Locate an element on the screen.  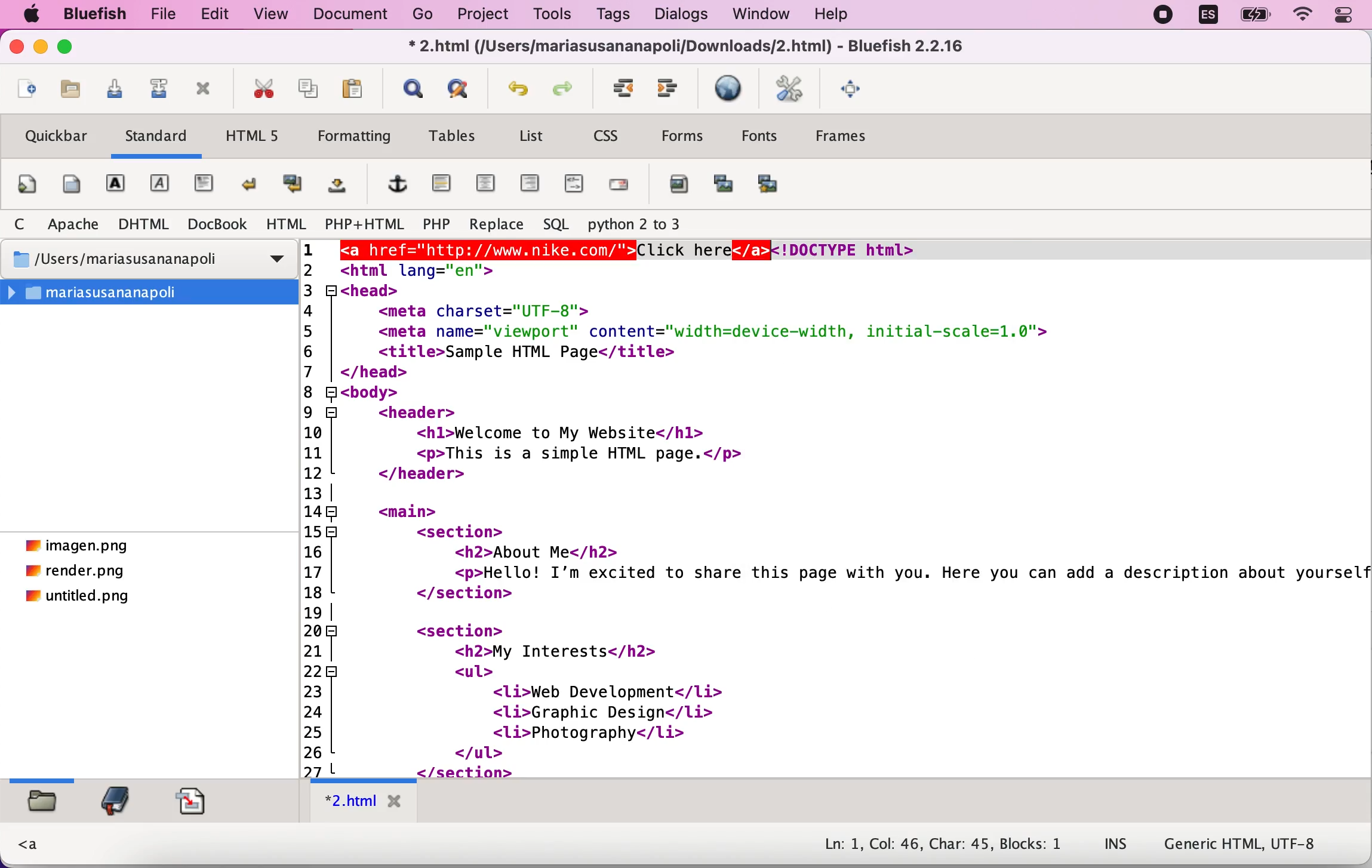
maximize is located at coordinates (72, 48).